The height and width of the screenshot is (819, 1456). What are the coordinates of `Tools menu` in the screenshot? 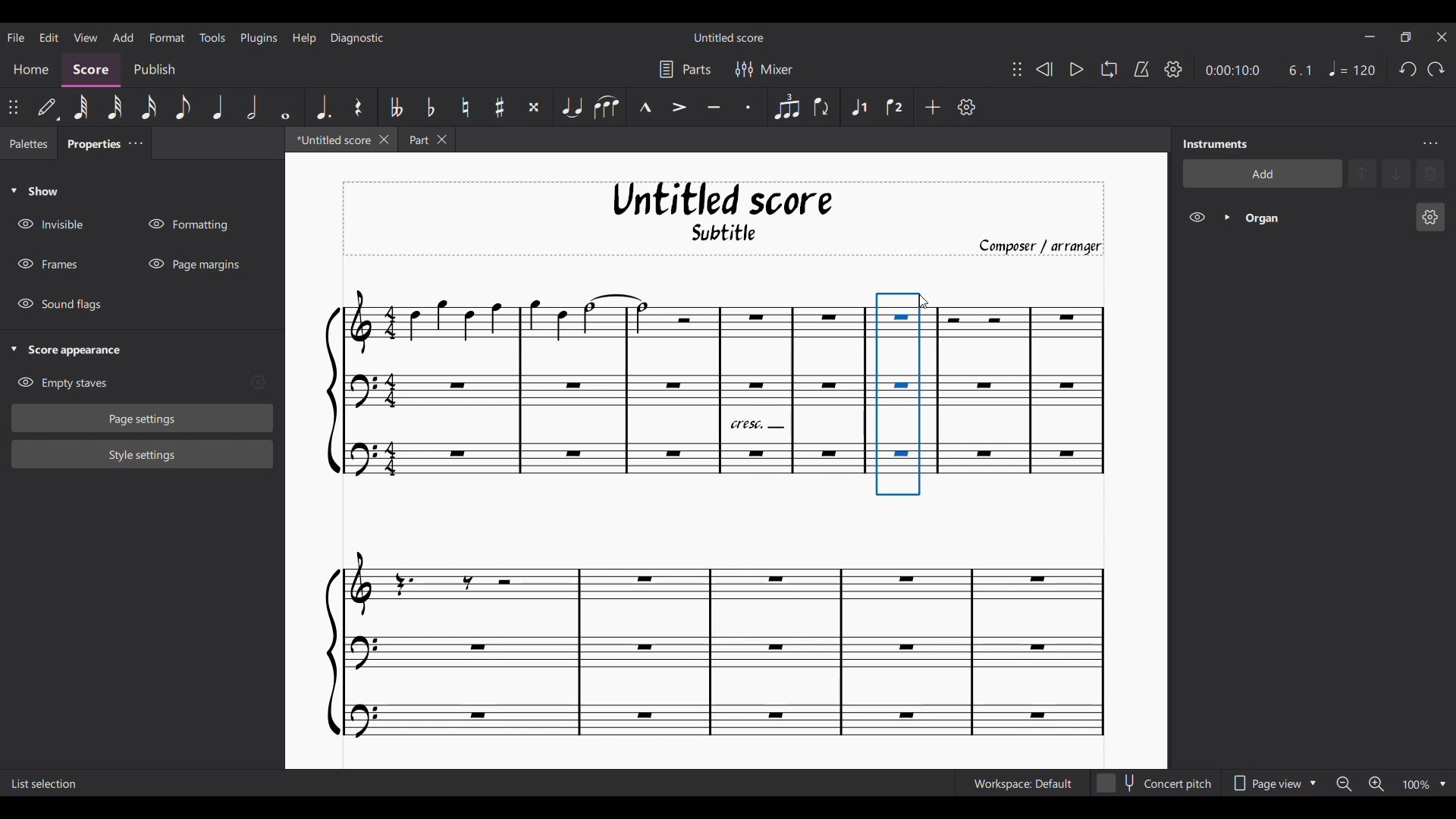 It's located at (212, 36).